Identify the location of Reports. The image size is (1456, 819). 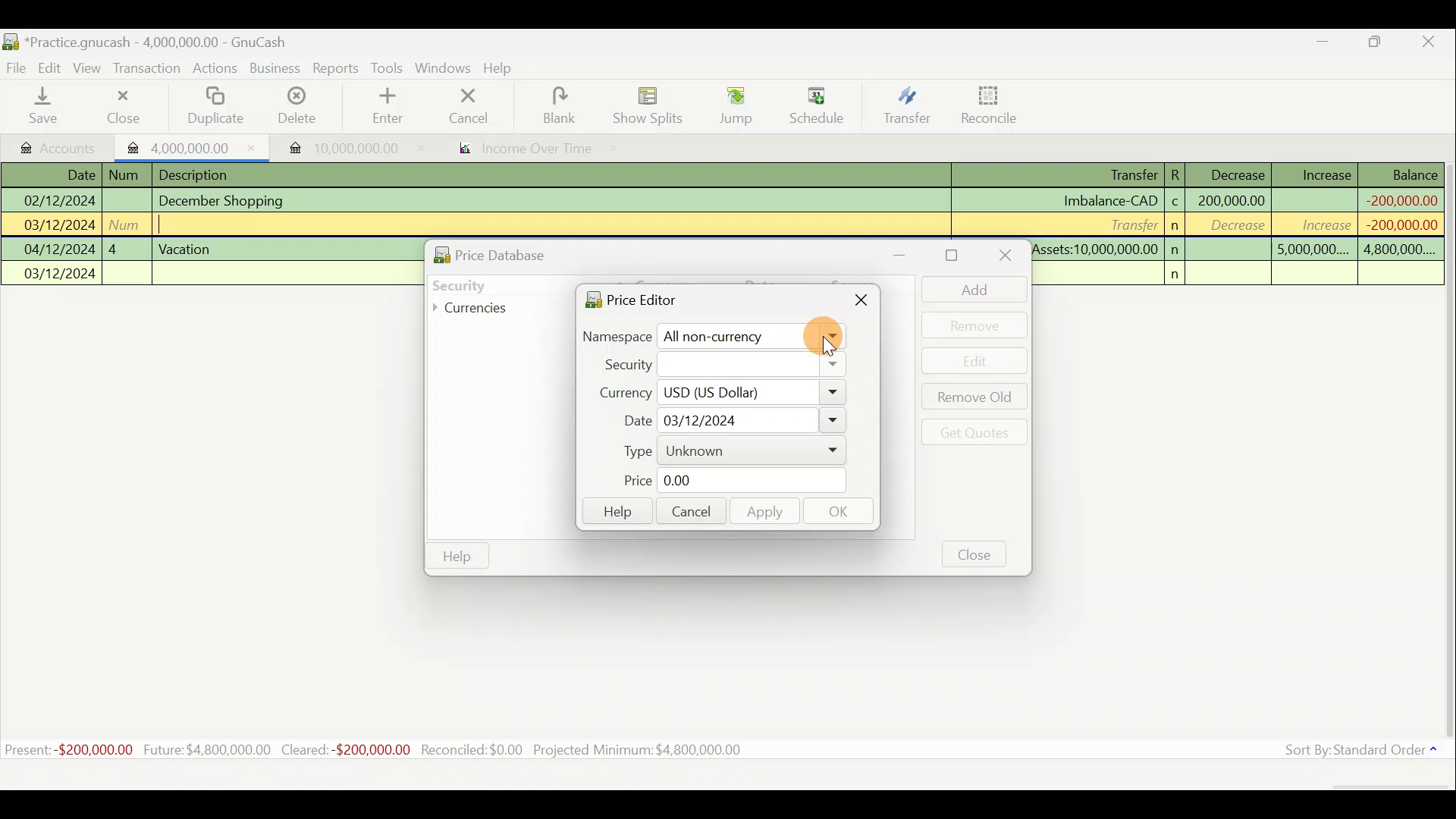
(335, 68).